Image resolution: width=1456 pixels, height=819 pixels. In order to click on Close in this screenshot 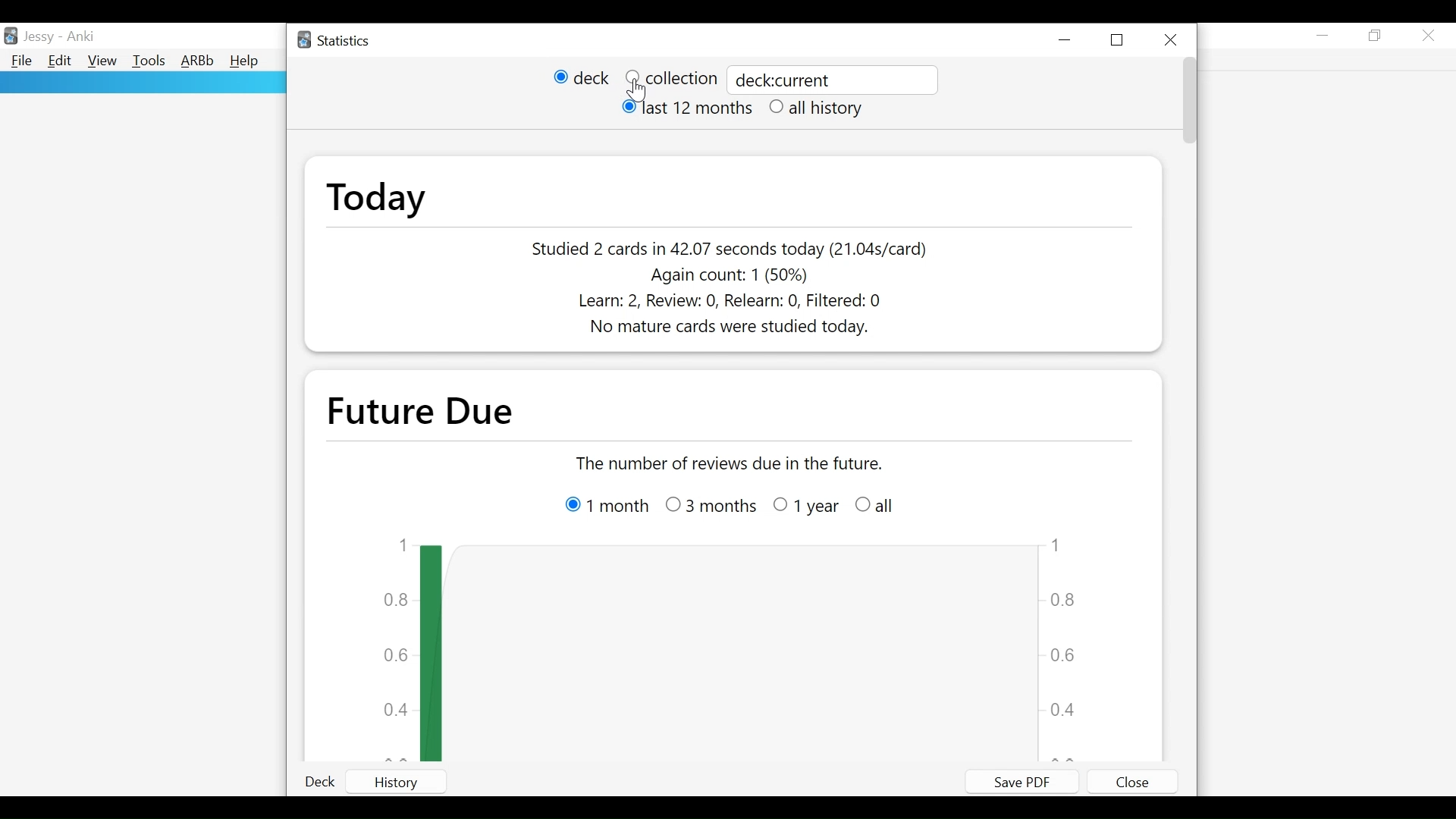, I will do `click(1172, 37)`.